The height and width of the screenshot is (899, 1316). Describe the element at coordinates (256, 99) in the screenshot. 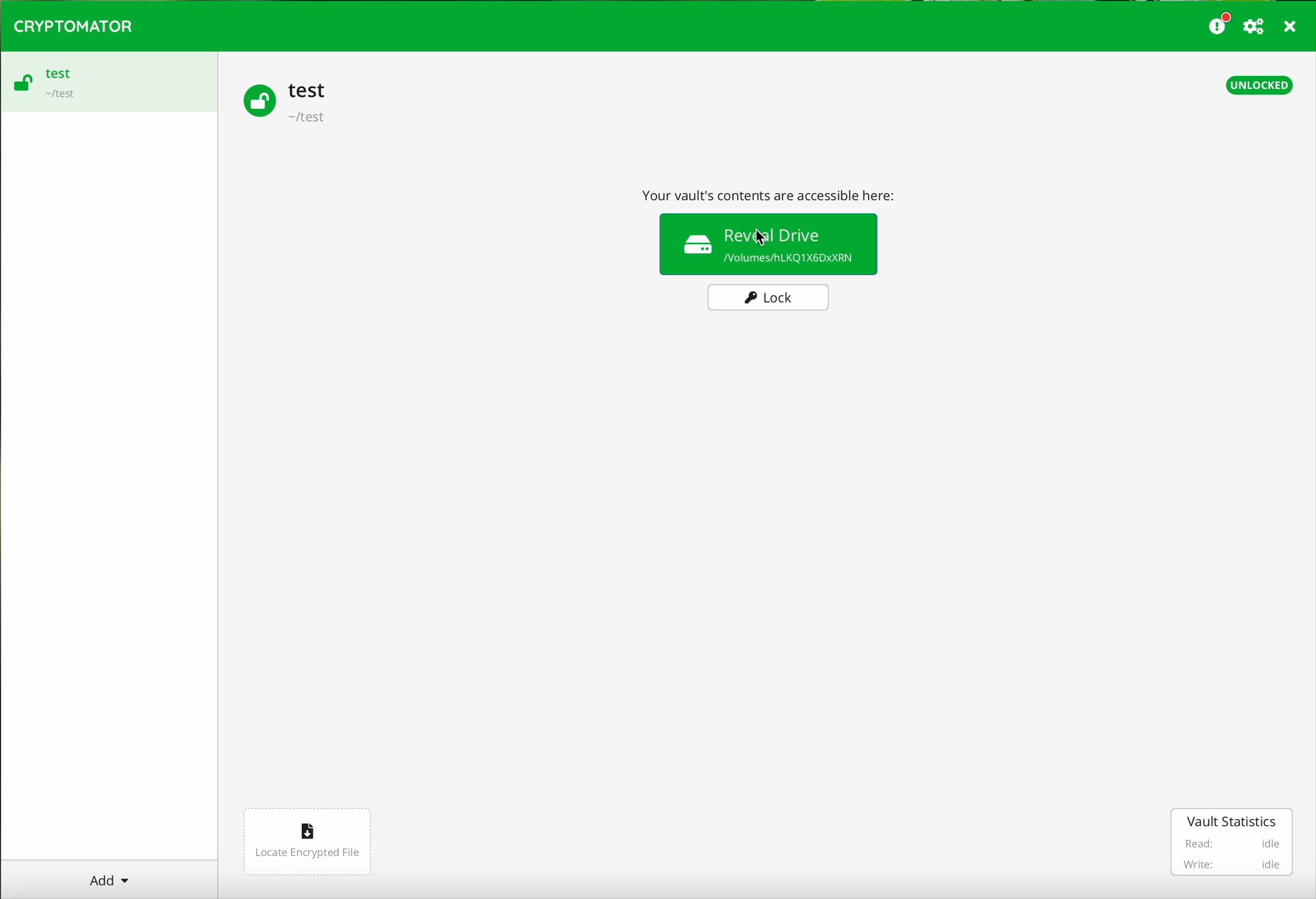

I see `open padlock` at that location.